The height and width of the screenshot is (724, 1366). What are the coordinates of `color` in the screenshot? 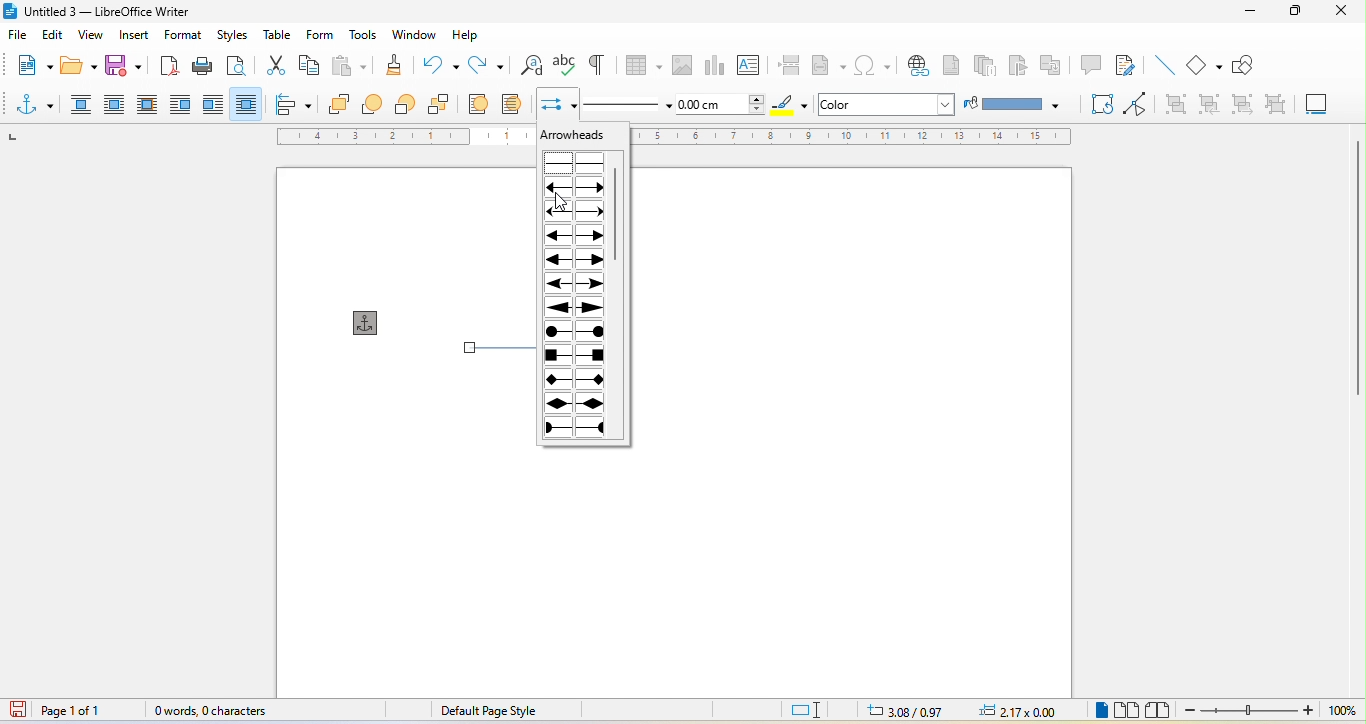 It's located at (864, 104).